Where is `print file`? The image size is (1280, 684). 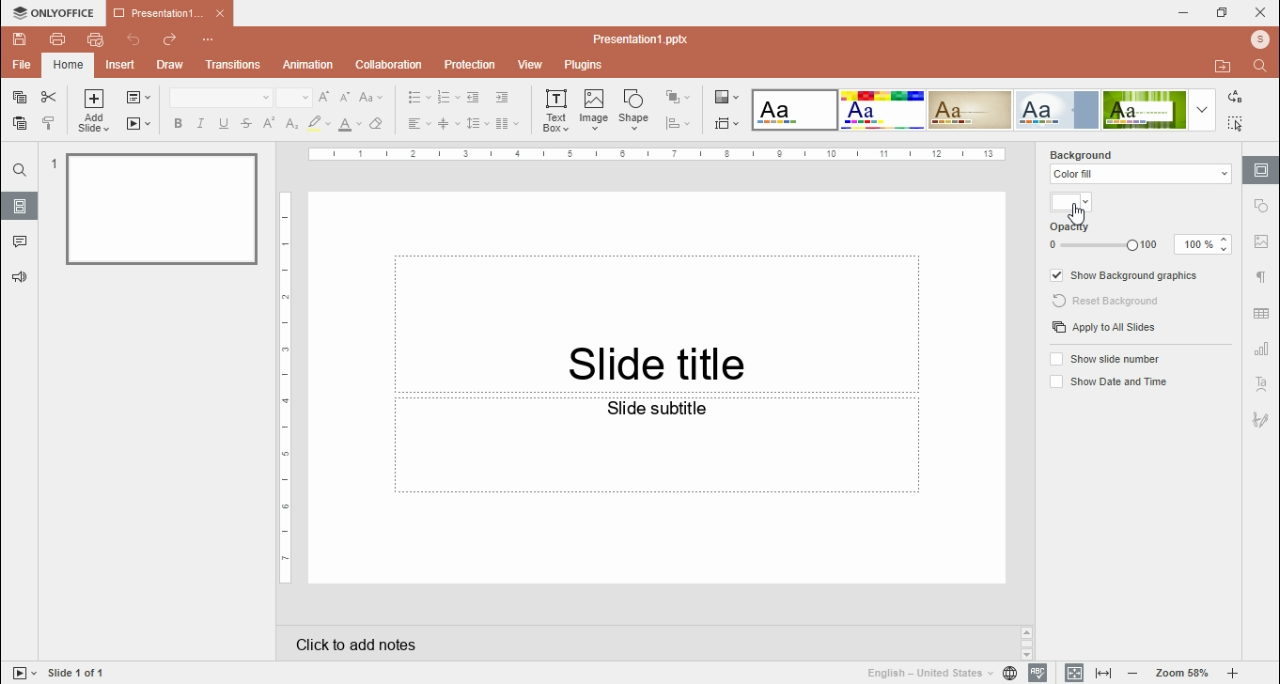 print file is located at coordinates (58, 39).